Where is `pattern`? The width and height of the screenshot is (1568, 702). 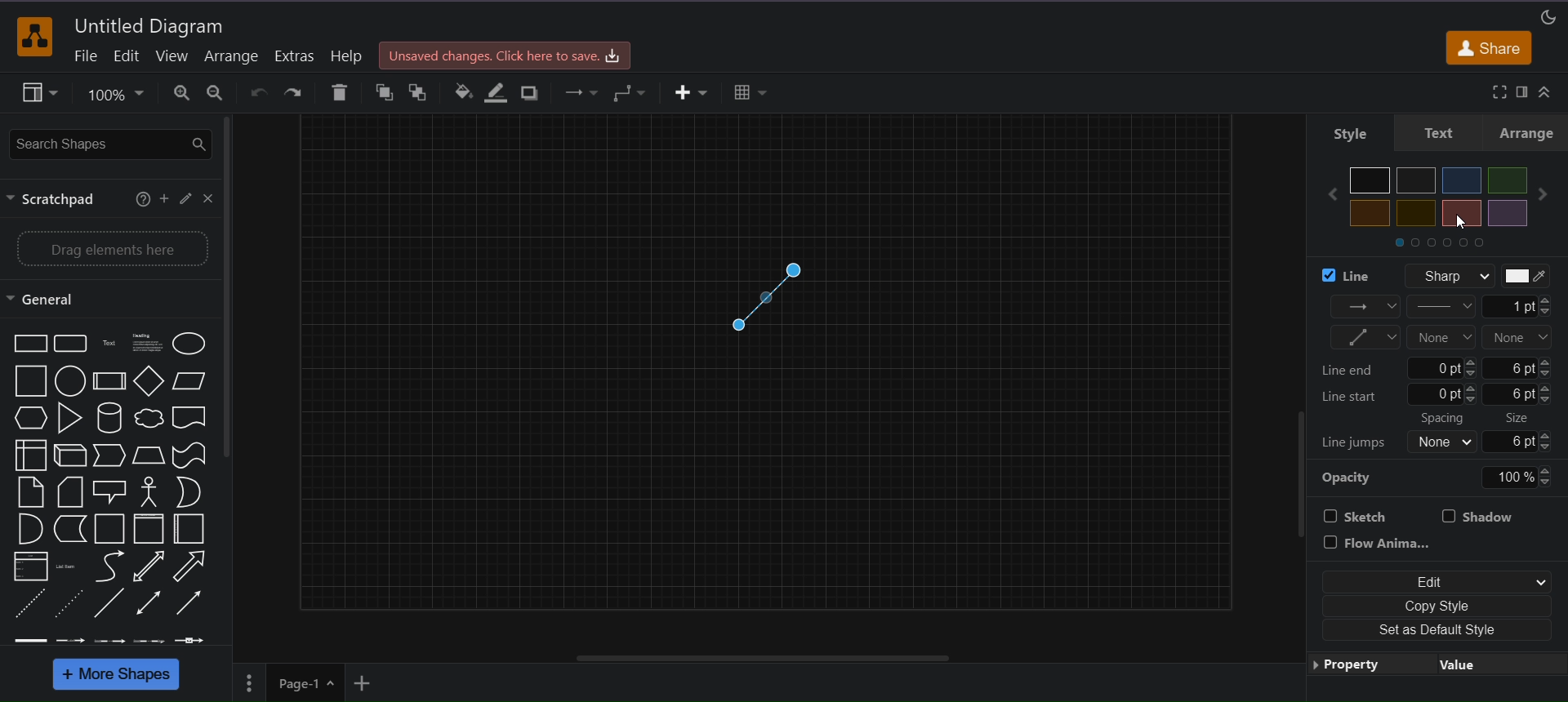
pattern is located at coordinates (1444, 305).